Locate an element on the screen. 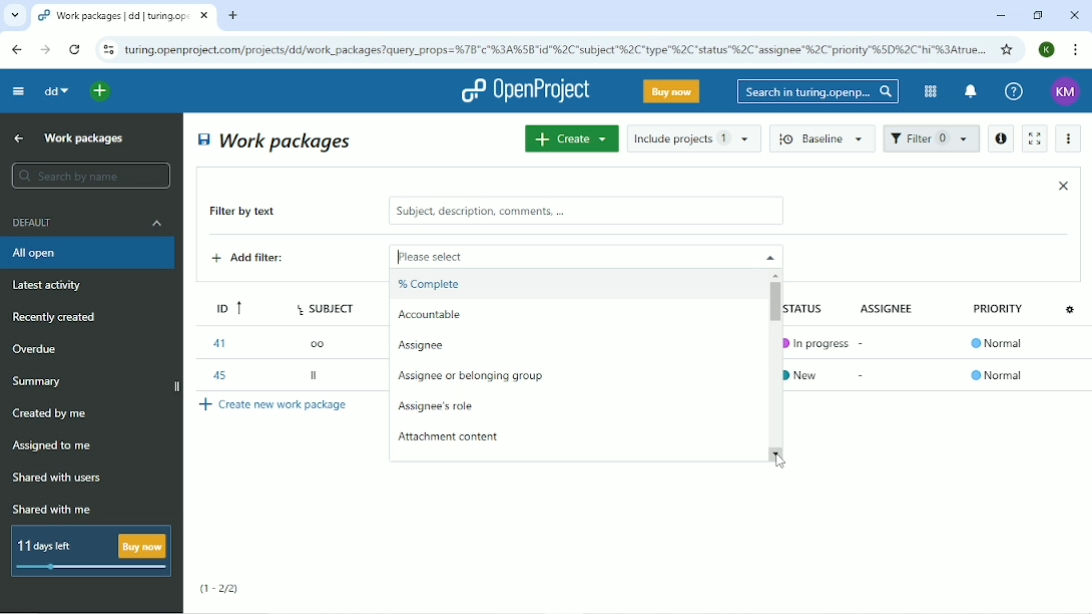  Assignee is located at coordinates (422, 345).